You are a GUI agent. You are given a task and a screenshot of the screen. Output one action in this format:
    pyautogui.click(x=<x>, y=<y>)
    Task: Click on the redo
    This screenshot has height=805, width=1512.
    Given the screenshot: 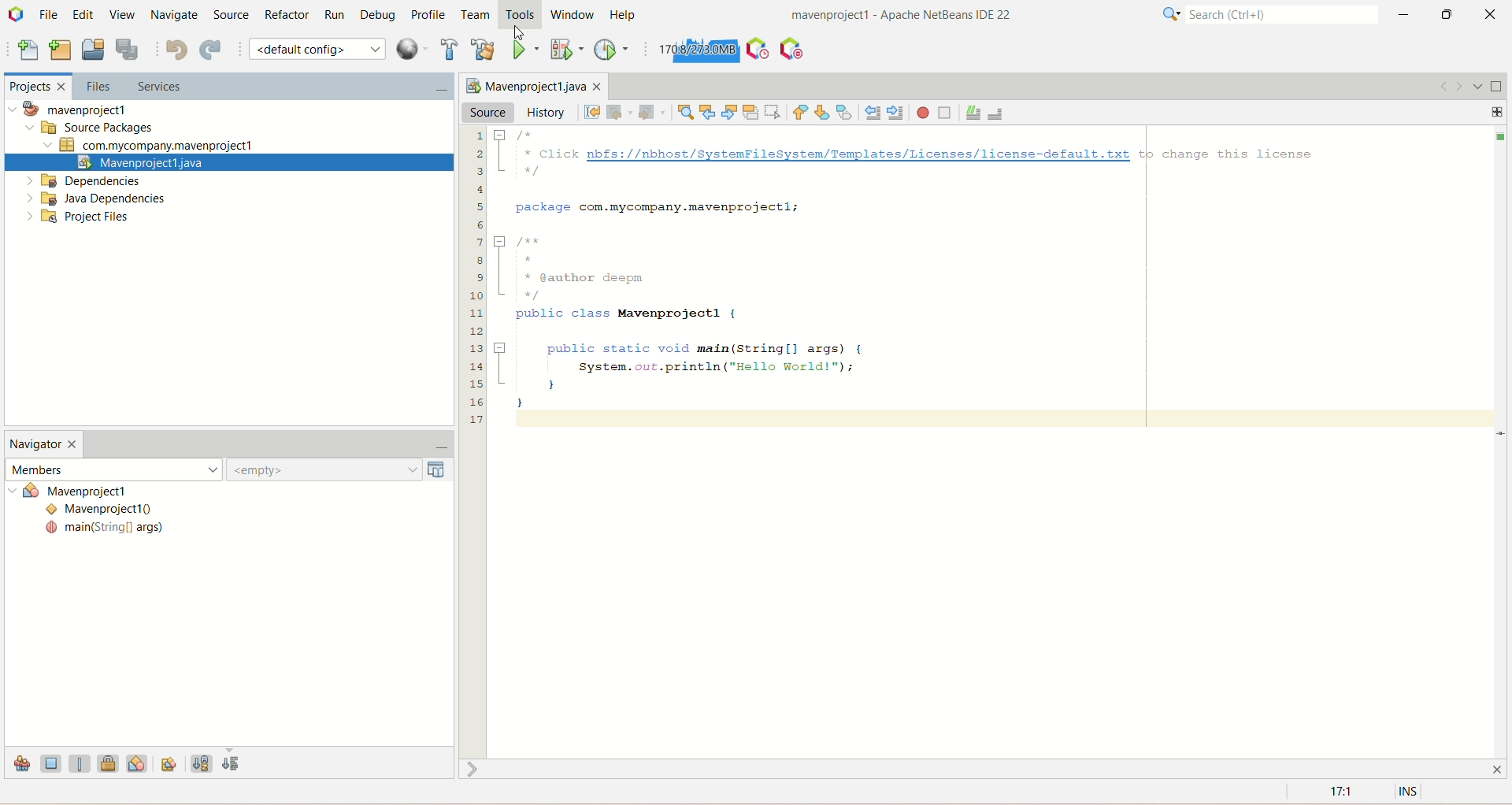 What is the action you would take?
    pyautogui.click(x=213, y=51)
    